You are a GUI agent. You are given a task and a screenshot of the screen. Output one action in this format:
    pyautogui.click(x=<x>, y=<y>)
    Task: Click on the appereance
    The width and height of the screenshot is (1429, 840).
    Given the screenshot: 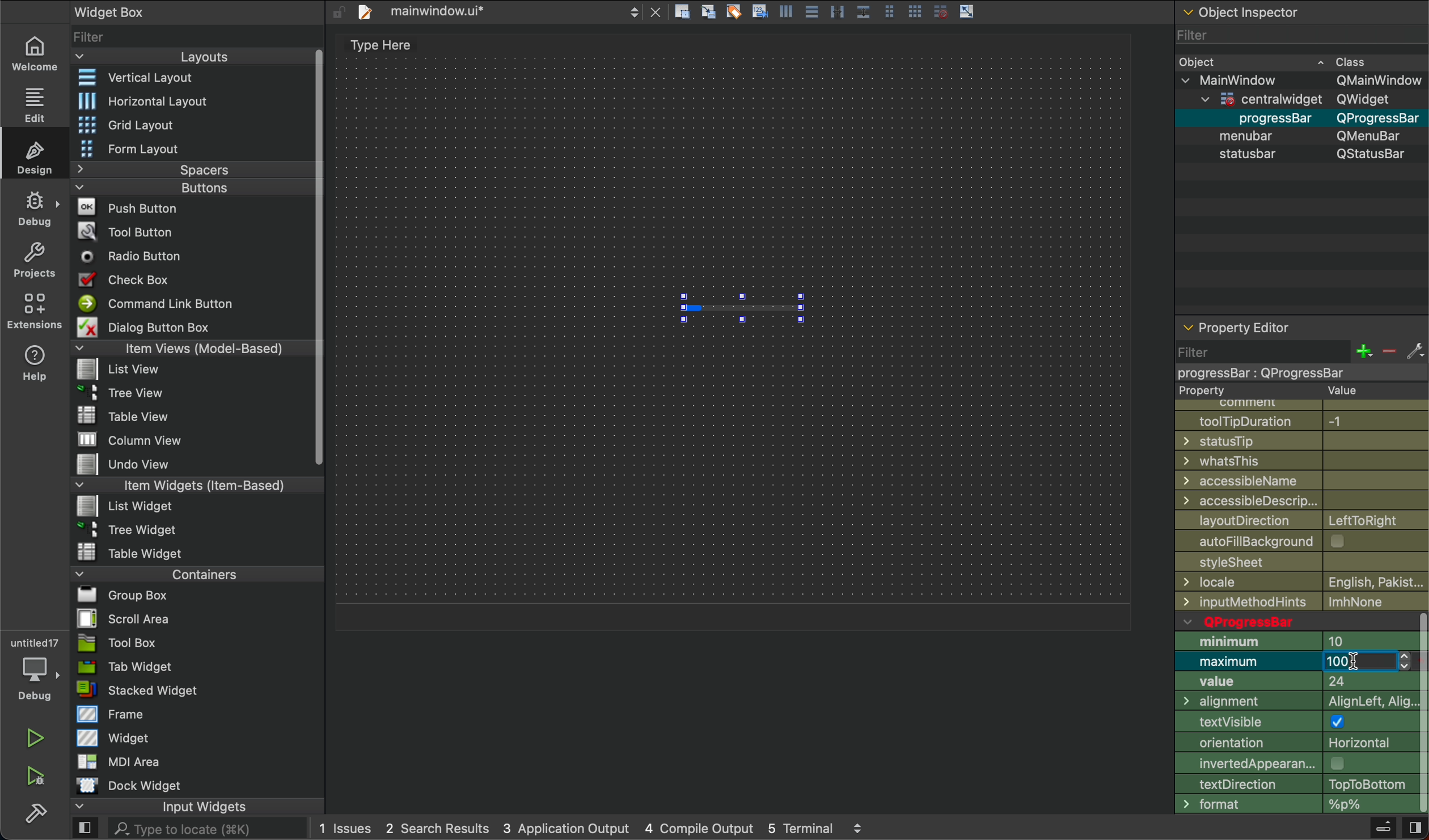 What is the action you would take?
    pyautogui.click(x=1293, y=763)
    